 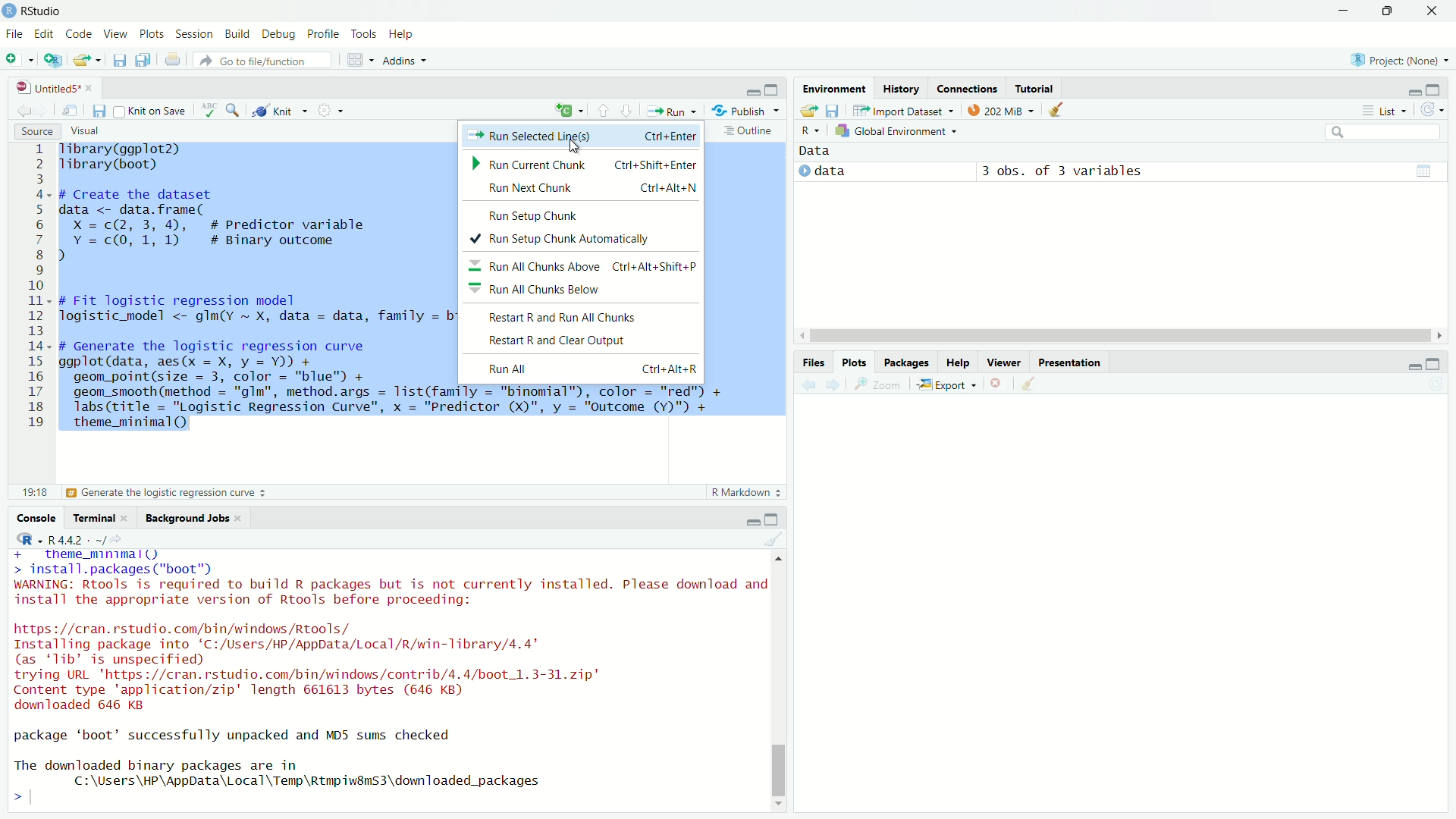 What do you see at coordinates (753, 521) in the screenshot?
I see `minimize` at bounding box center [753, 521].